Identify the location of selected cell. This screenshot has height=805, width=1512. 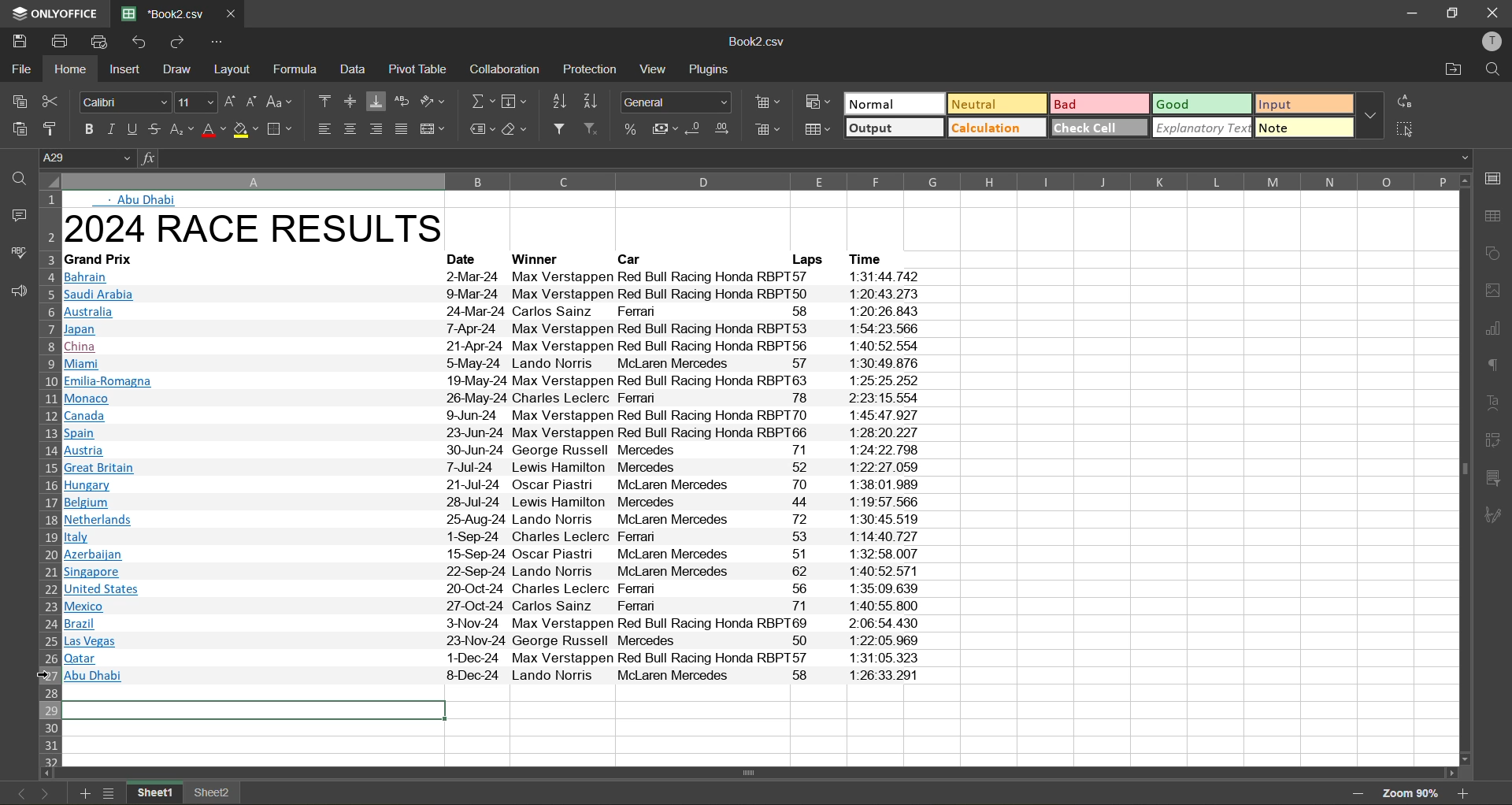
(254, 710).